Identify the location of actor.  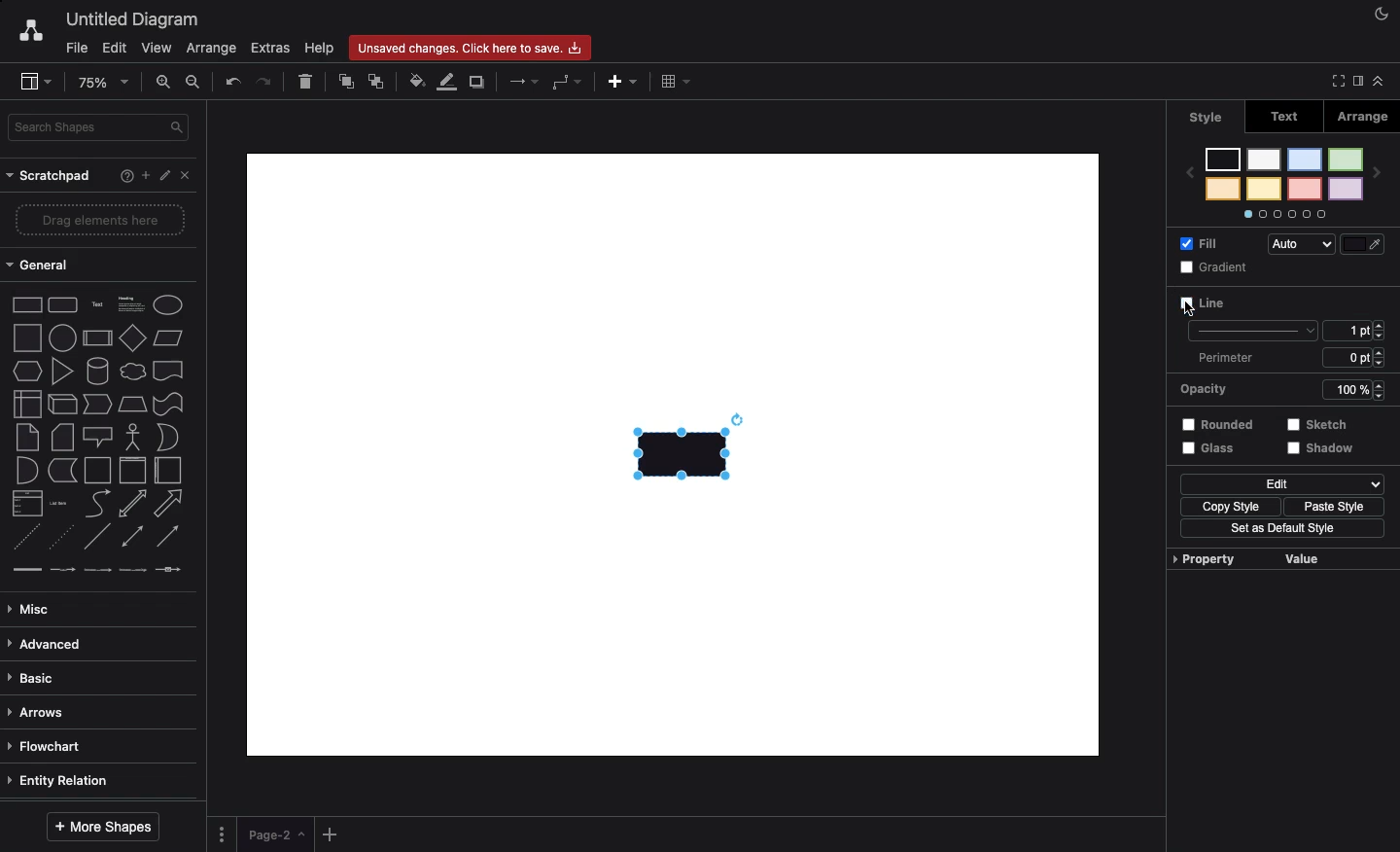
(135, 437).